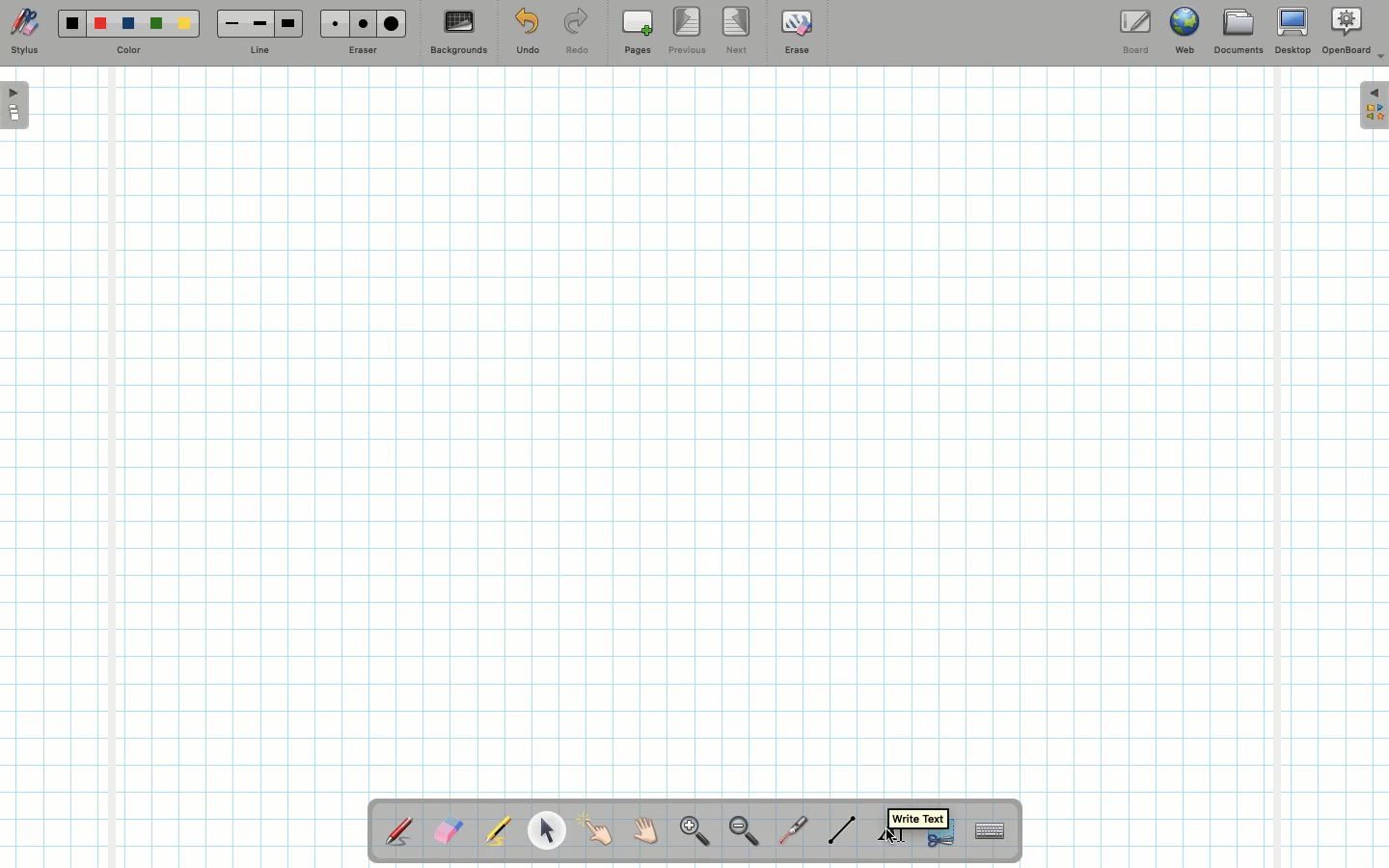  What do you see at coordinates (738, 29) in the screenshot?
I see `Next` at bounding box center [738, 29].